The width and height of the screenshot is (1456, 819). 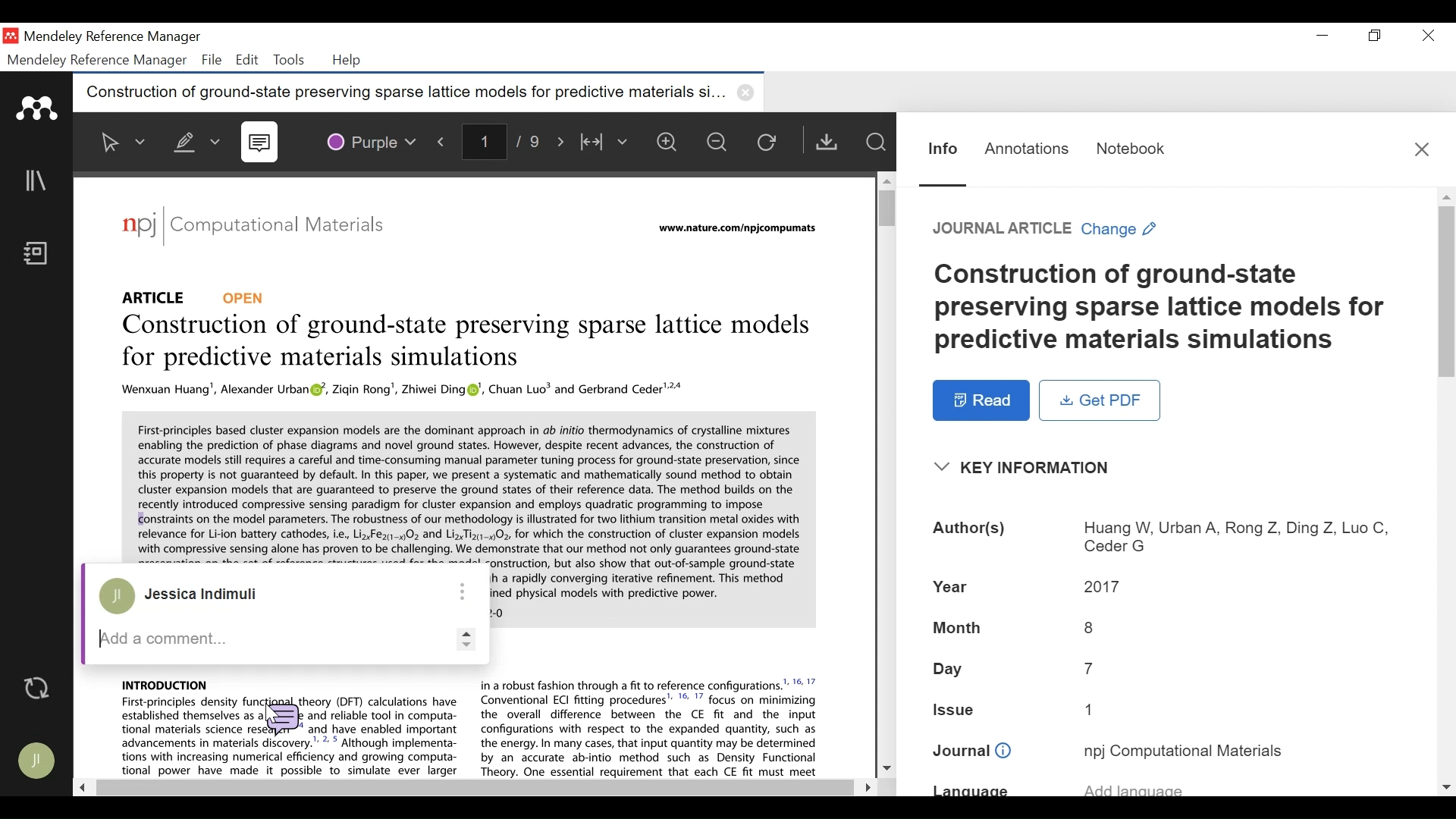 What do you see at coordinates (1168, 309) in the screenshot?
I see `Title: Title: Construction of ground-state preserving sparse lattice models for predictive materials simulations` at bounding box center [1168, 309].